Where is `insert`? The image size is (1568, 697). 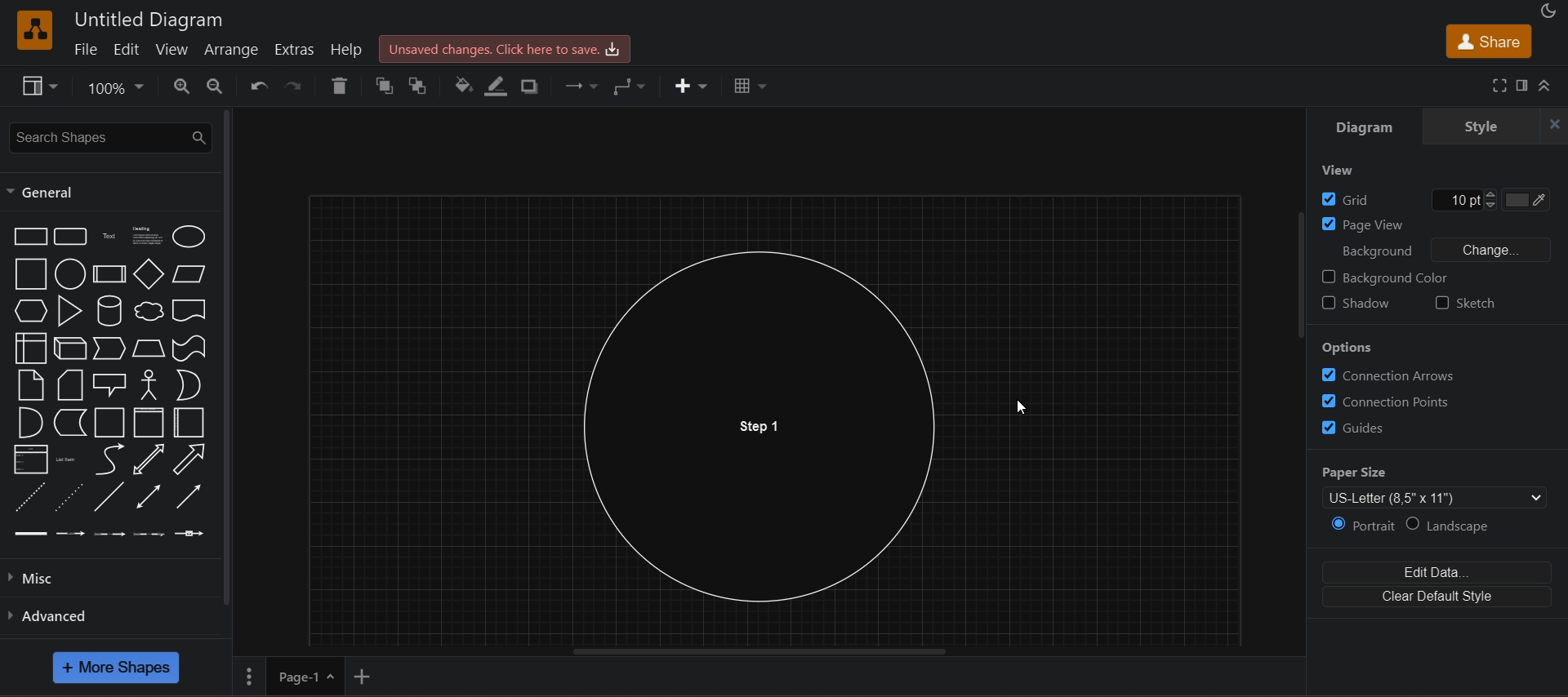
insert is located at coordinates (688, 87).